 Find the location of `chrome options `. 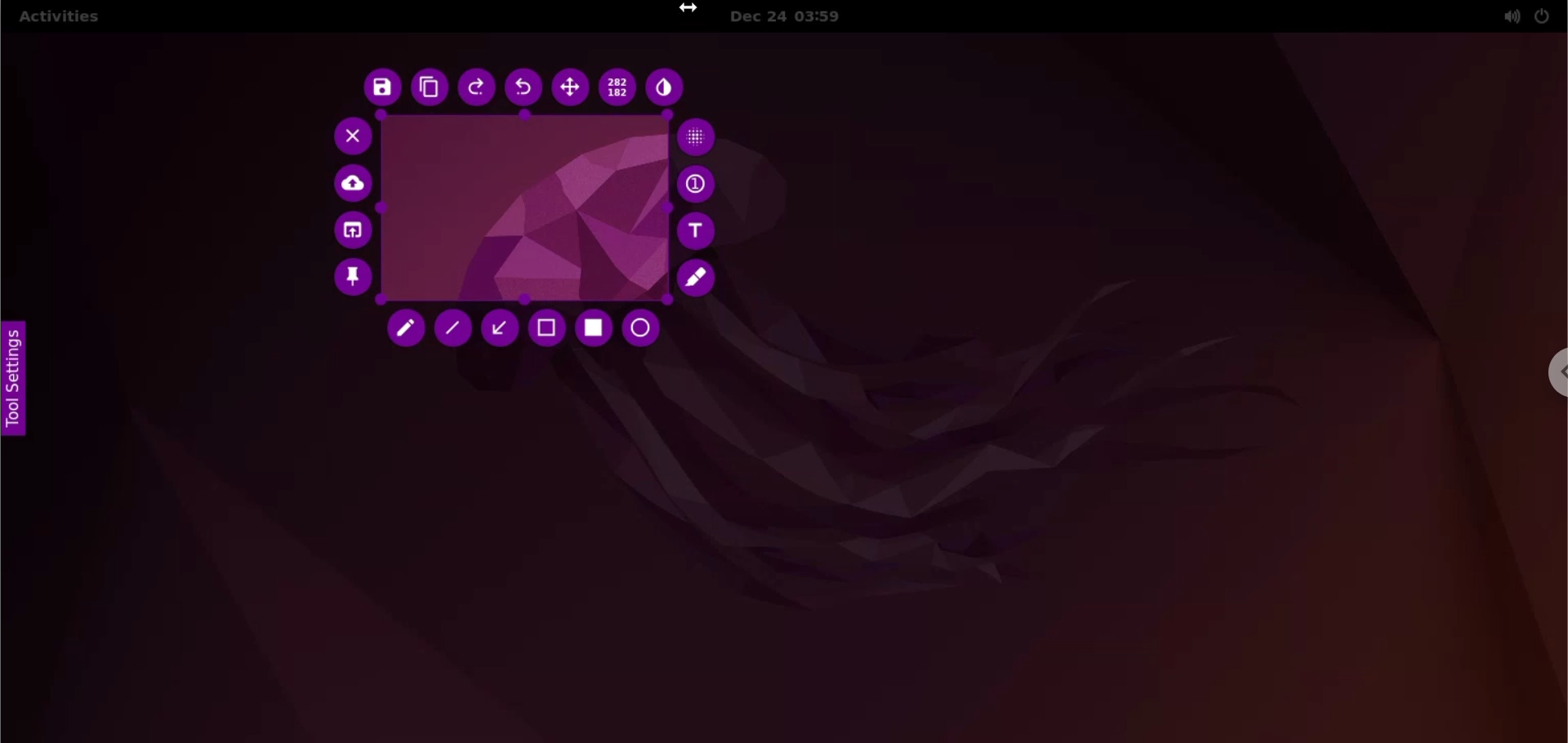

chrome options  is located at coordinates (1552, 376).